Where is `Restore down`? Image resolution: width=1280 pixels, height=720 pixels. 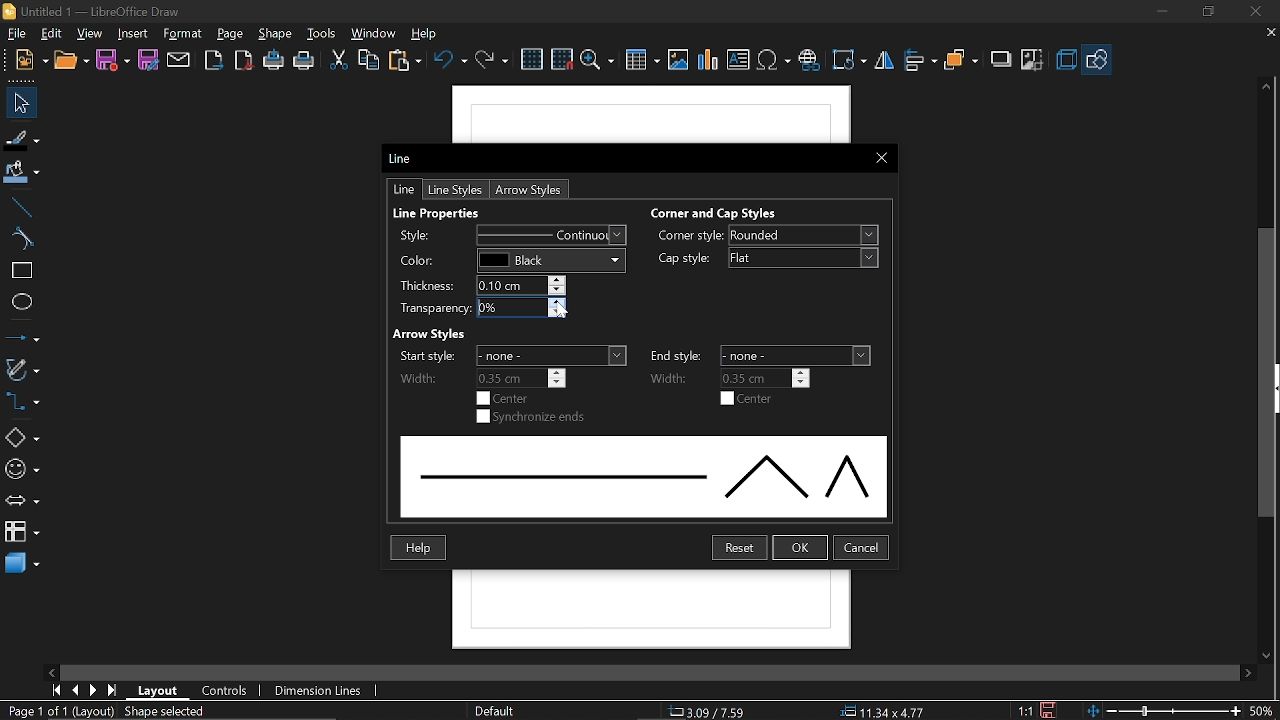
Restore down is located at coordinates (1205, 13).